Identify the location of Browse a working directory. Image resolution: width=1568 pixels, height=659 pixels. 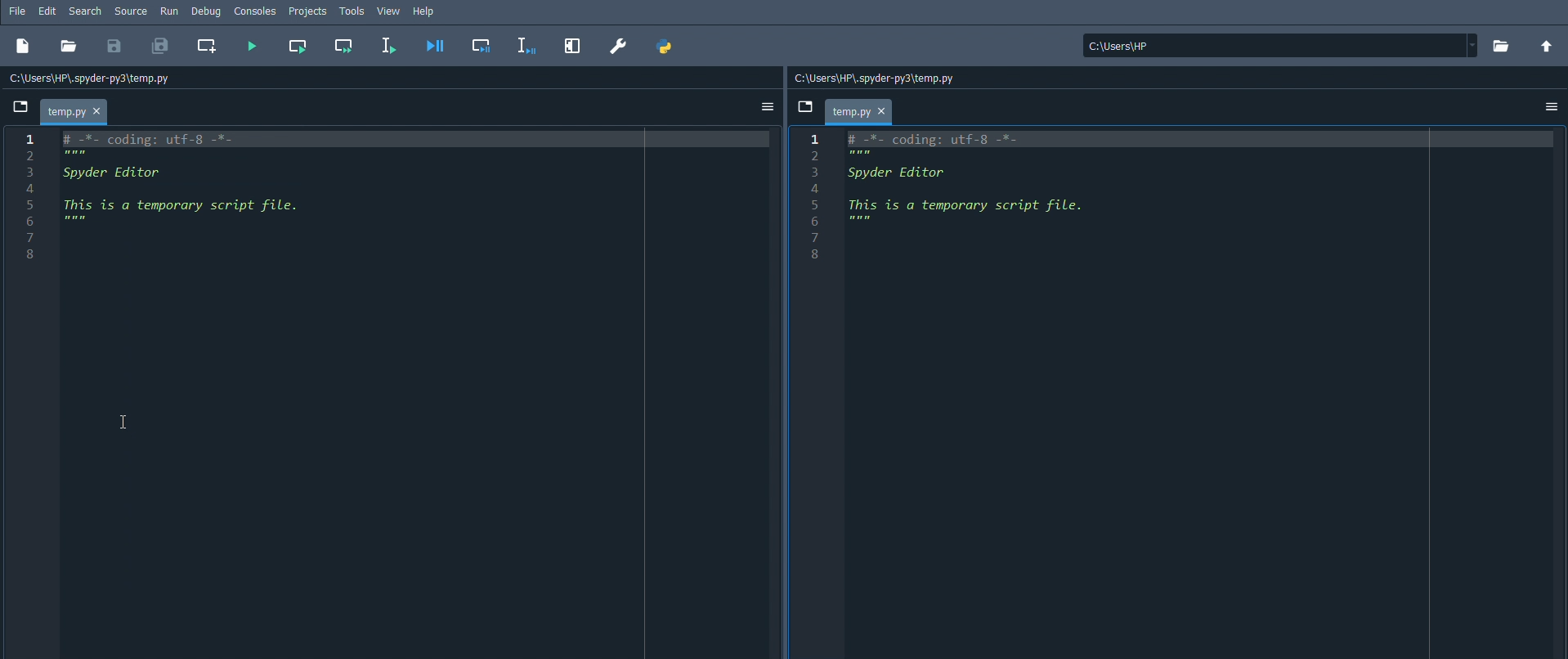
(1501, 45).